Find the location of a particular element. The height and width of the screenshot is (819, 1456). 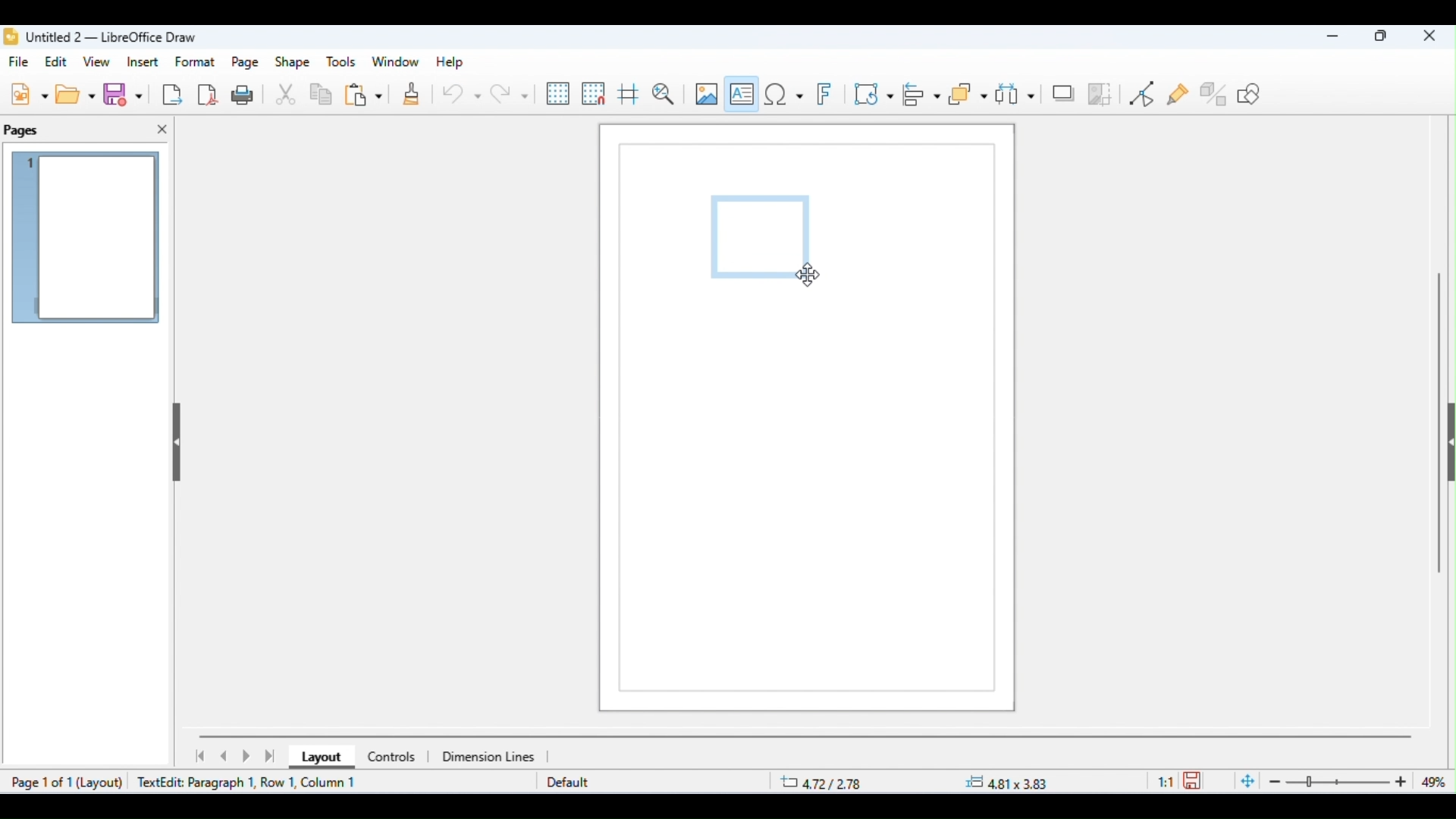

scaling factor is located at coordinates (1166, 780).